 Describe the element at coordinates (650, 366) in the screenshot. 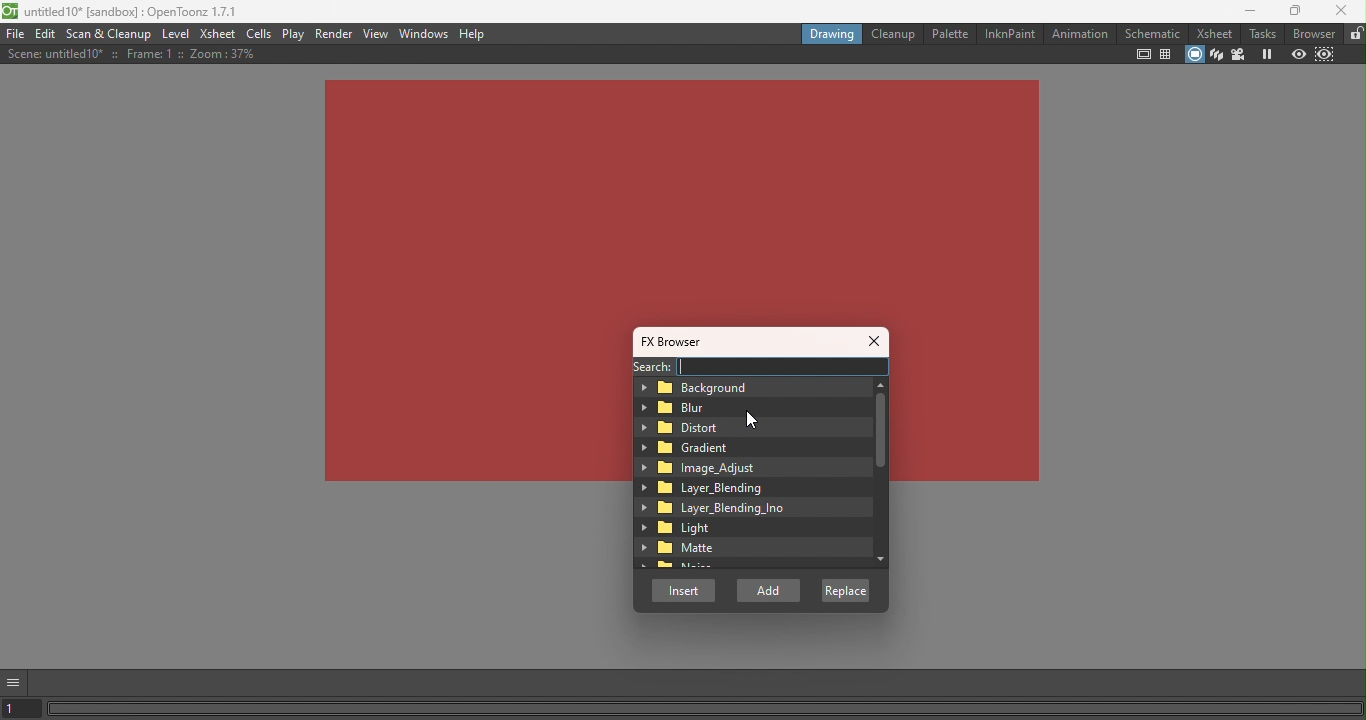

I see `Search` at that location.